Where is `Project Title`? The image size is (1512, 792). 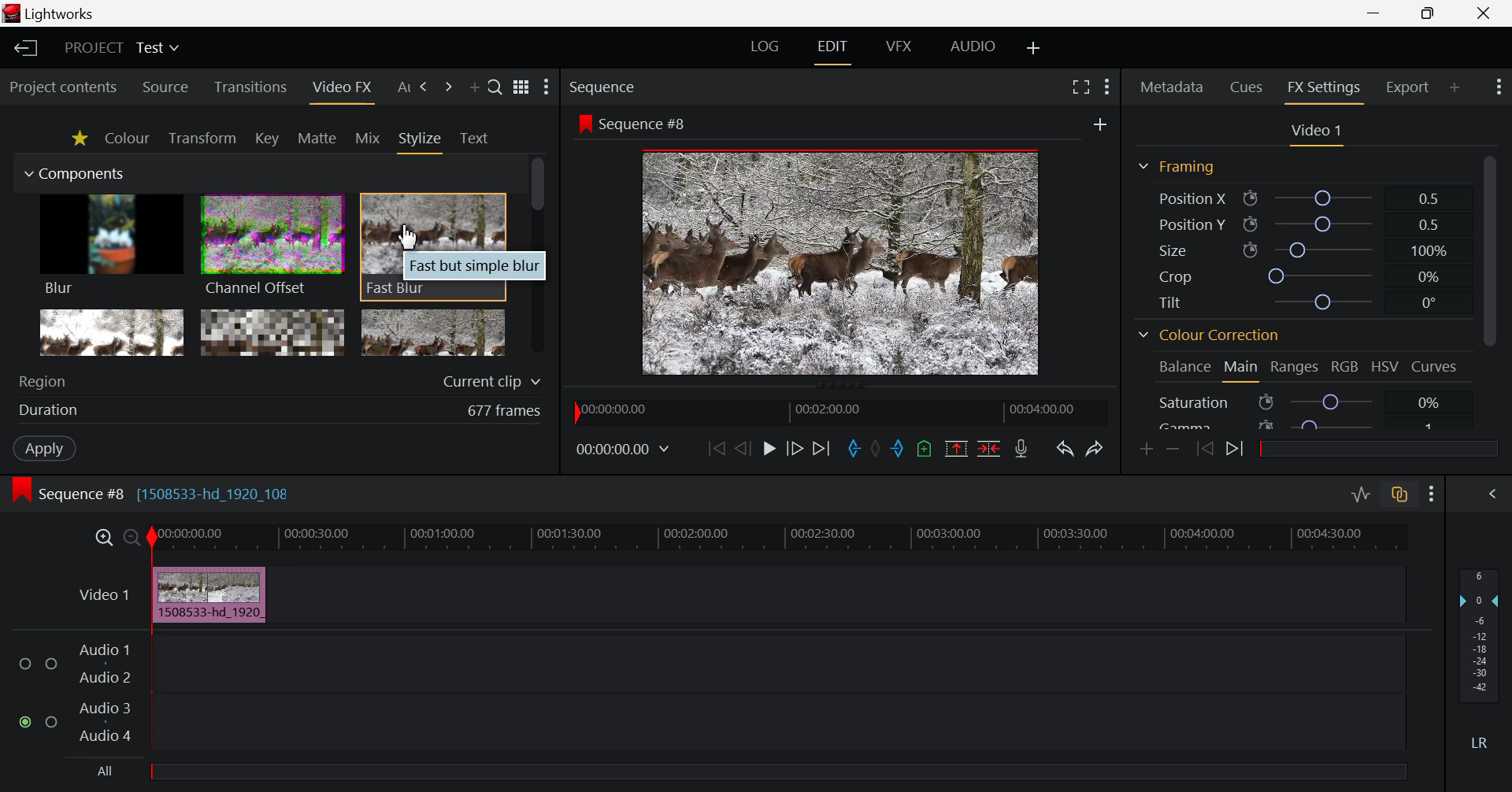 Project Title is located at coordinates (121, 46).